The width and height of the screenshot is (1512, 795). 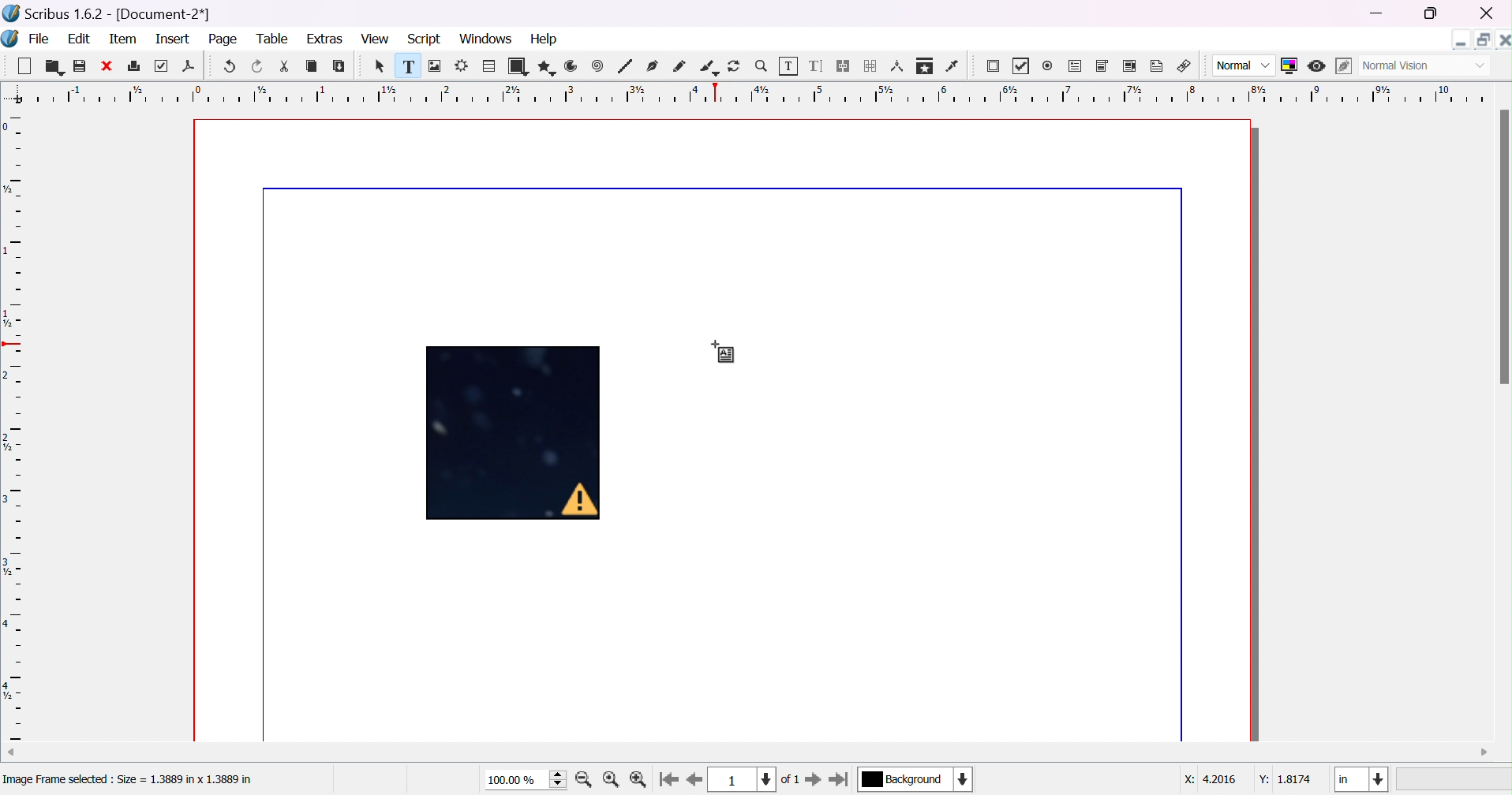 What do you see at coordinates (693, 781) in the screenshot?
I see `go to previous page` at bounding box center [693, 781].